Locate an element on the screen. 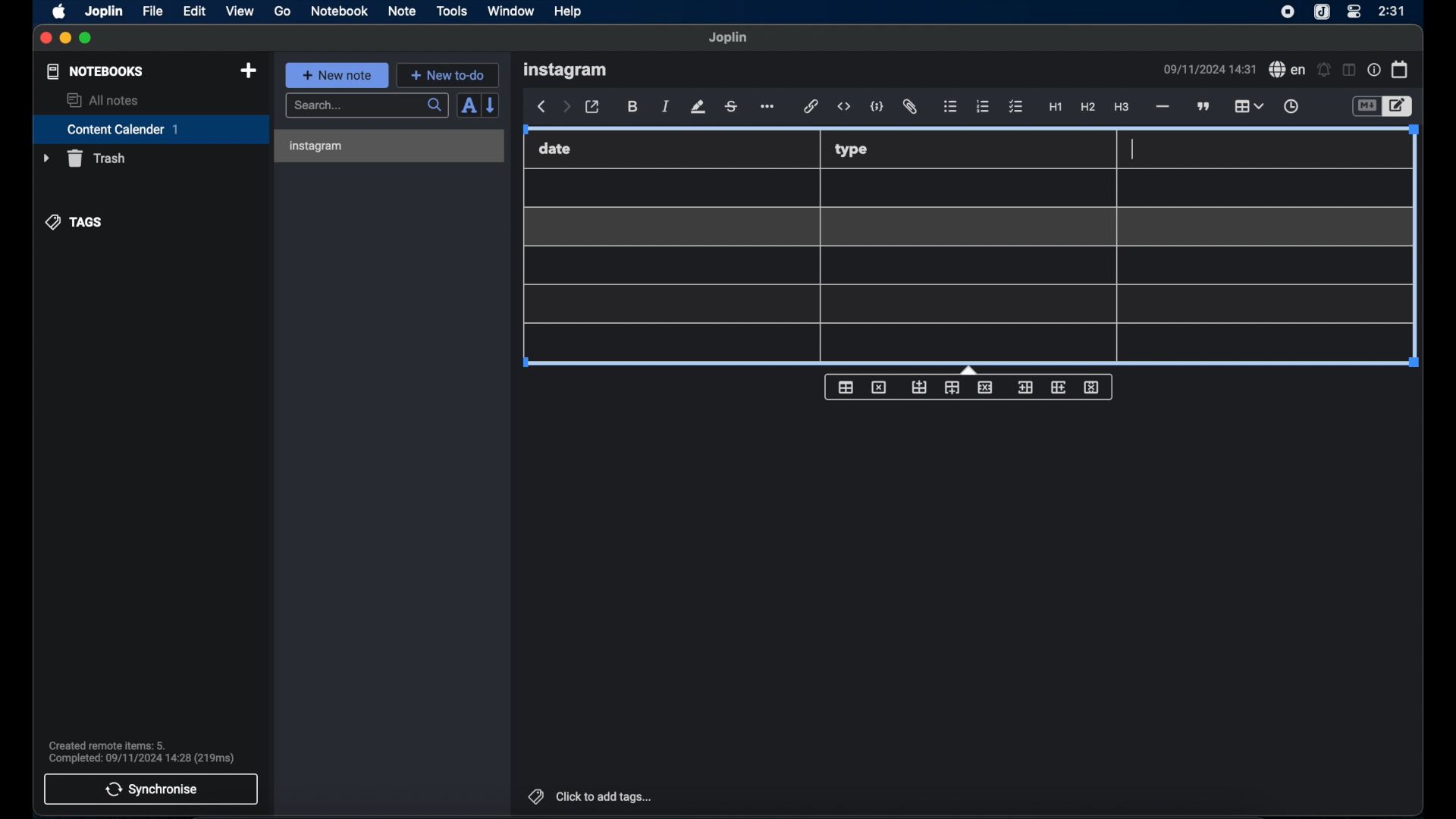 The image size is (1456, 819). joplin icon is located at coordinates (1321, 12).